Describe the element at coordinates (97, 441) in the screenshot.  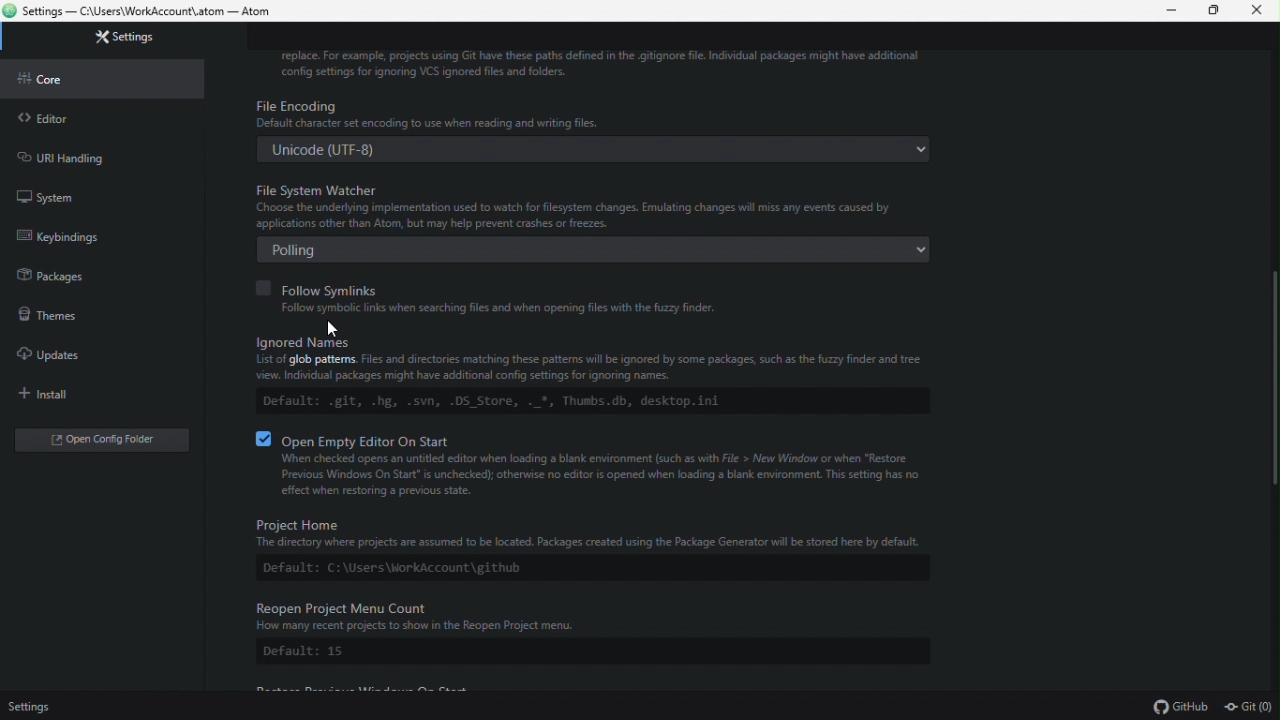
I see `open config editor` at that location.